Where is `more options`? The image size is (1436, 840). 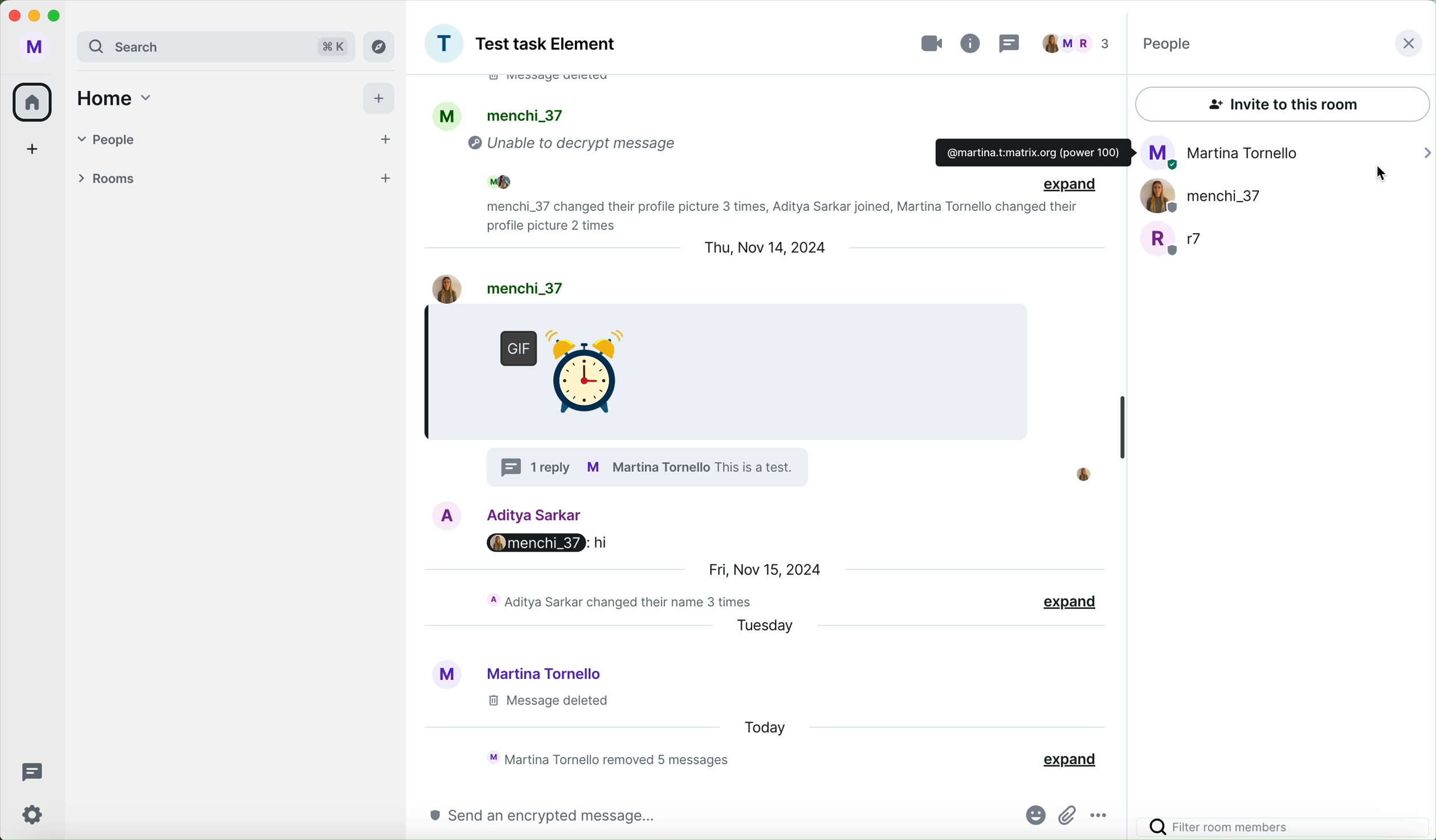
more options is located at coordinates (1103, 817).